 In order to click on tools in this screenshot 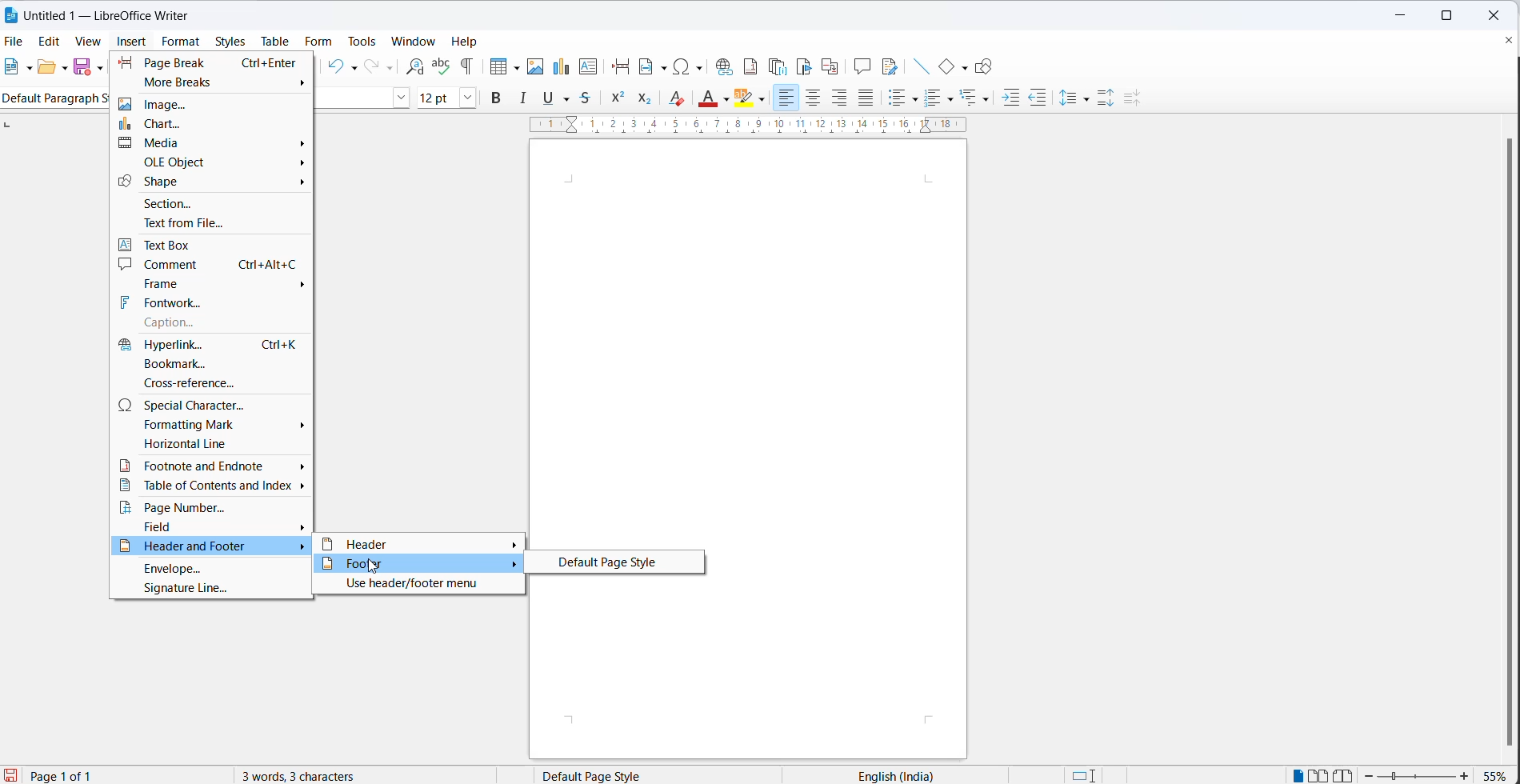, I will do `click(360, 40)`.